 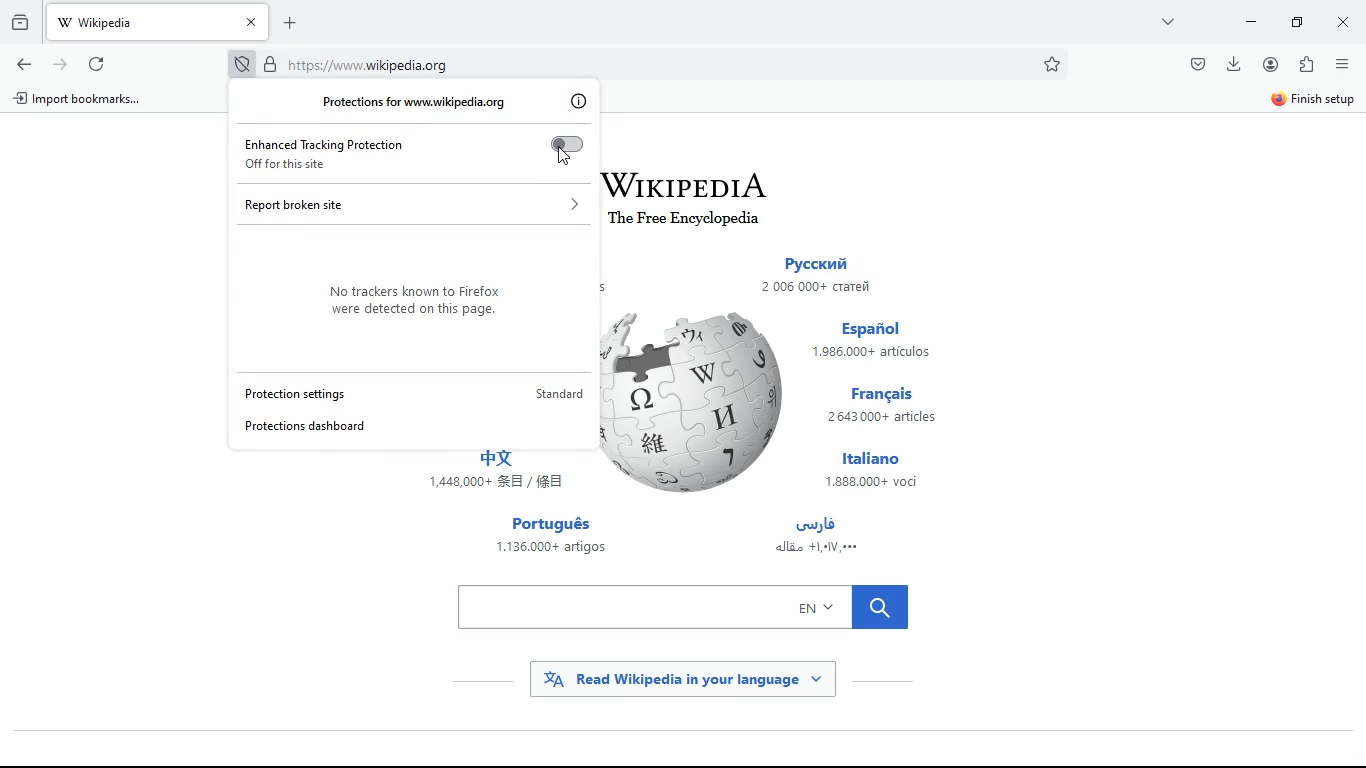 What do you see at coordinates (334, 142) in the screenshot?
I see `enhanced tracking protection` at bounding box center [334, 142].